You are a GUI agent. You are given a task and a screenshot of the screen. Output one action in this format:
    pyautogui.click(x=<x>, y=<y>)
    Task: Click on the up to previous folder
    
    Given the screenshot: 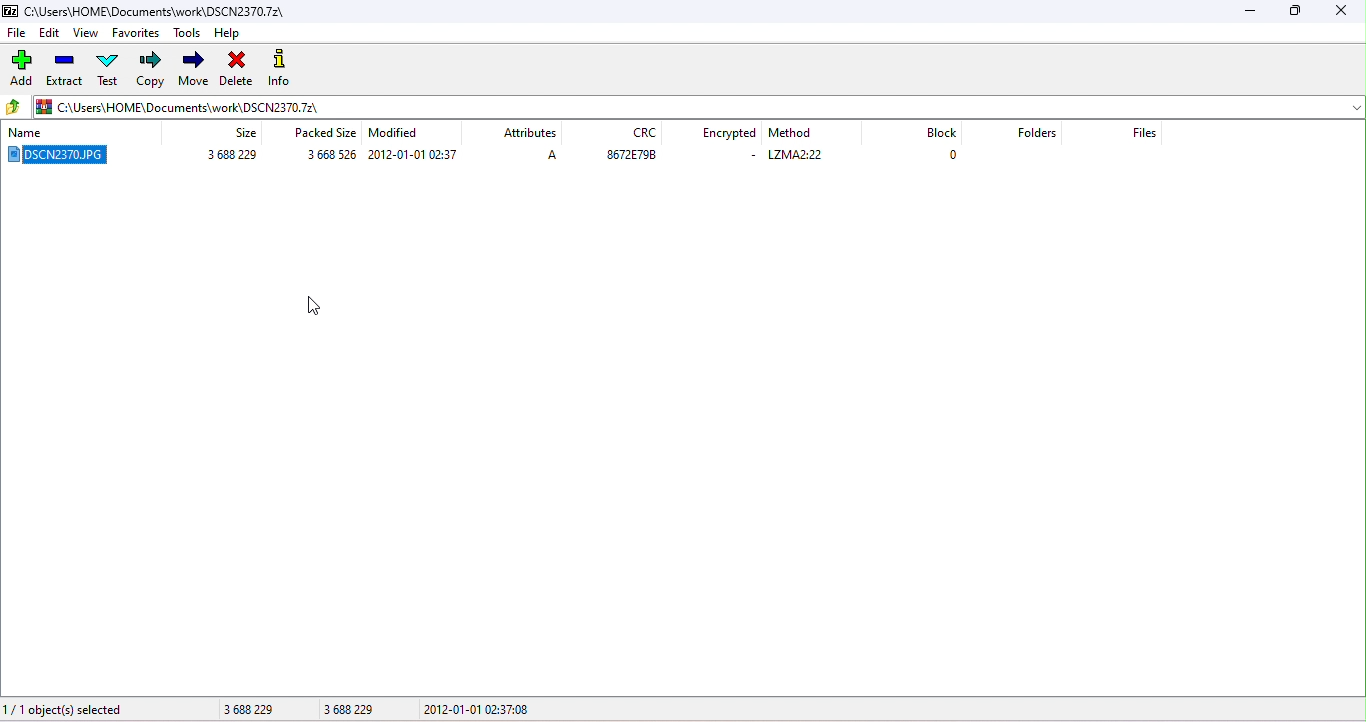 What is the action you would take?
    pyautogui.click(x=14, y=107)
    